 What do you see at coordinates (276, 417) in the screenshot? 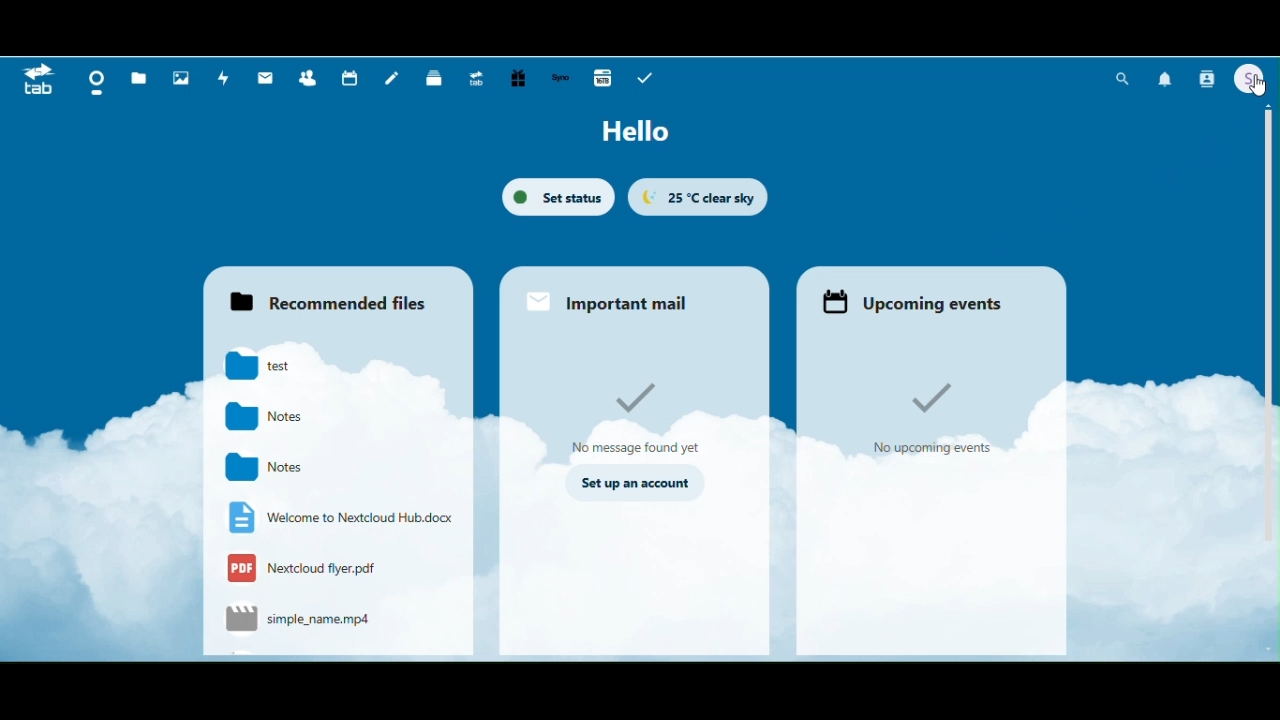
I see `Notes` at bounding box center [276, 417].